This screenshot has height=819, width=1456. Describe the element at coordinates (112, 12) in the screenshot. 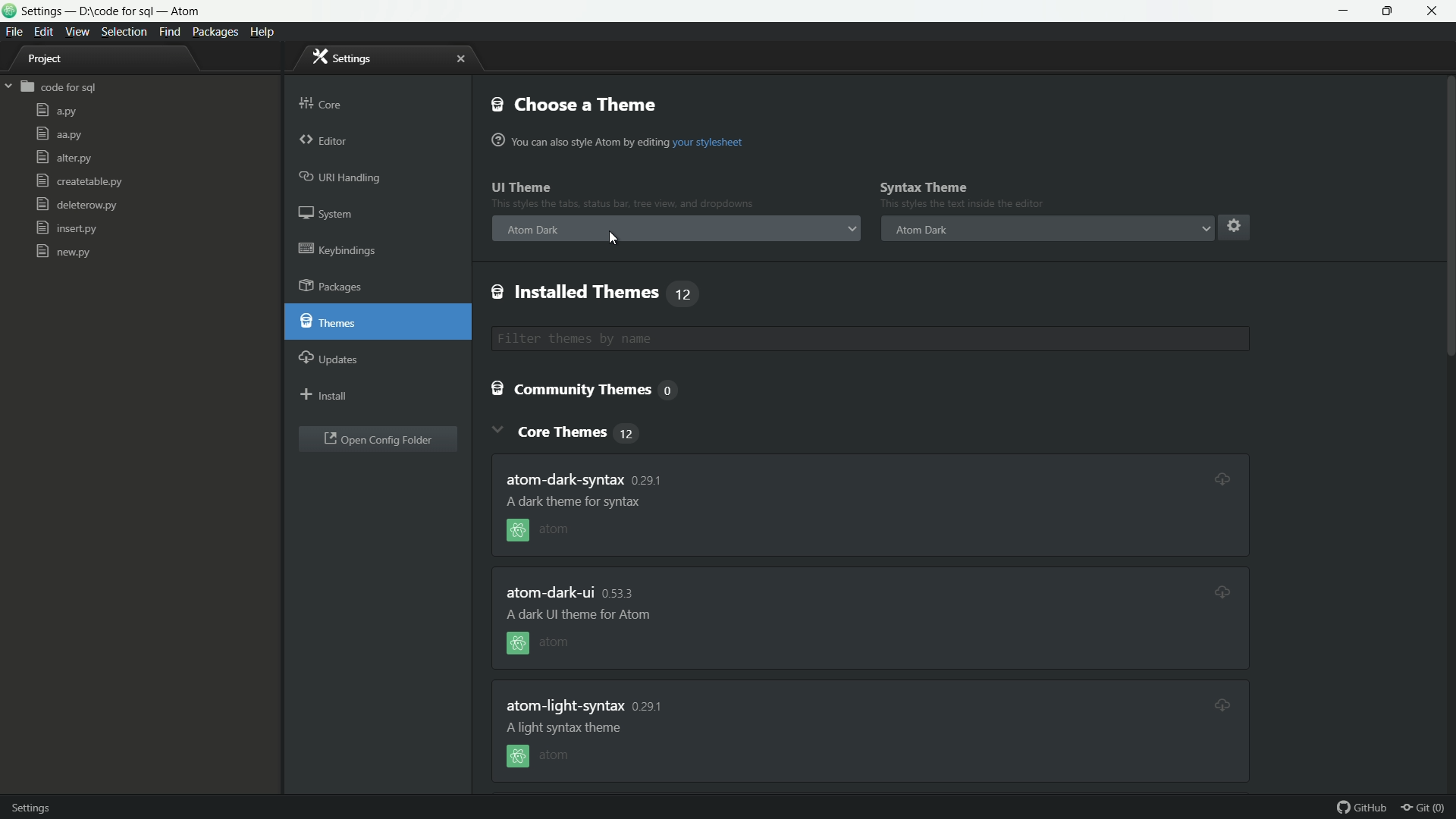

I see `project D:\code for sql - atom` at that location.